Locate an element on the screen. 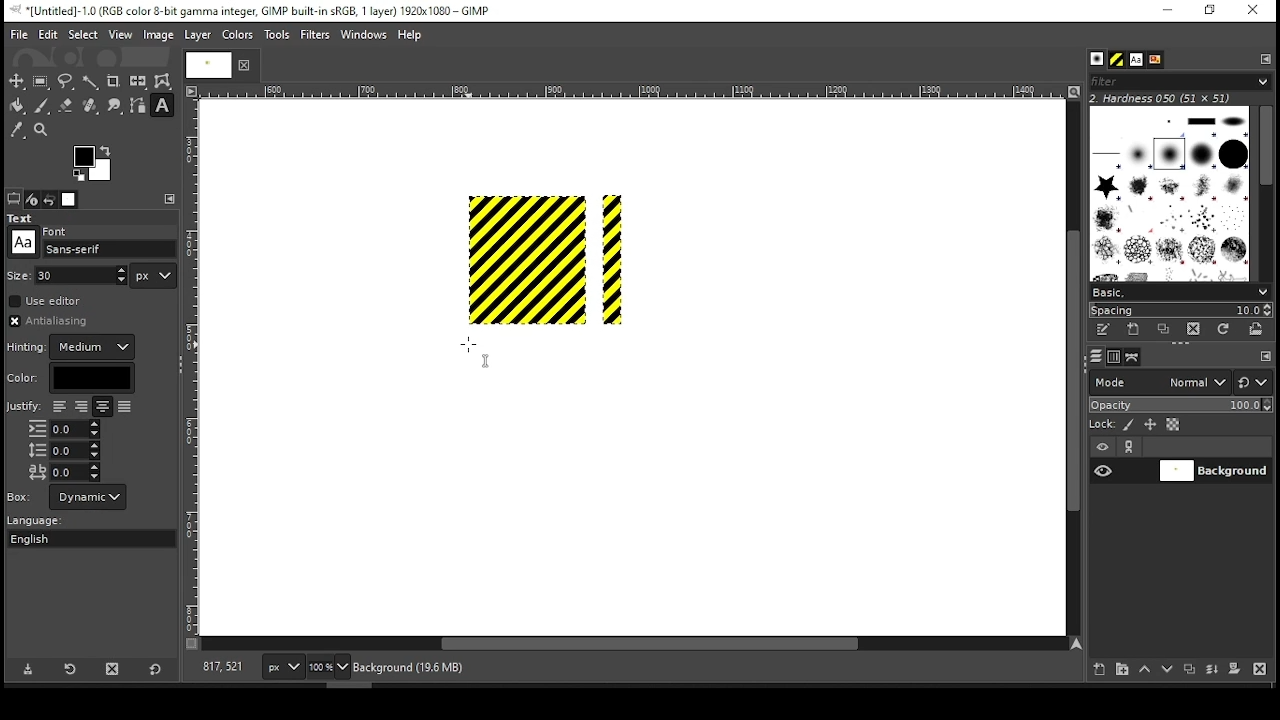 The image size is (1280, 720). switch to other mode groups is located at coordinates (1252, 384).